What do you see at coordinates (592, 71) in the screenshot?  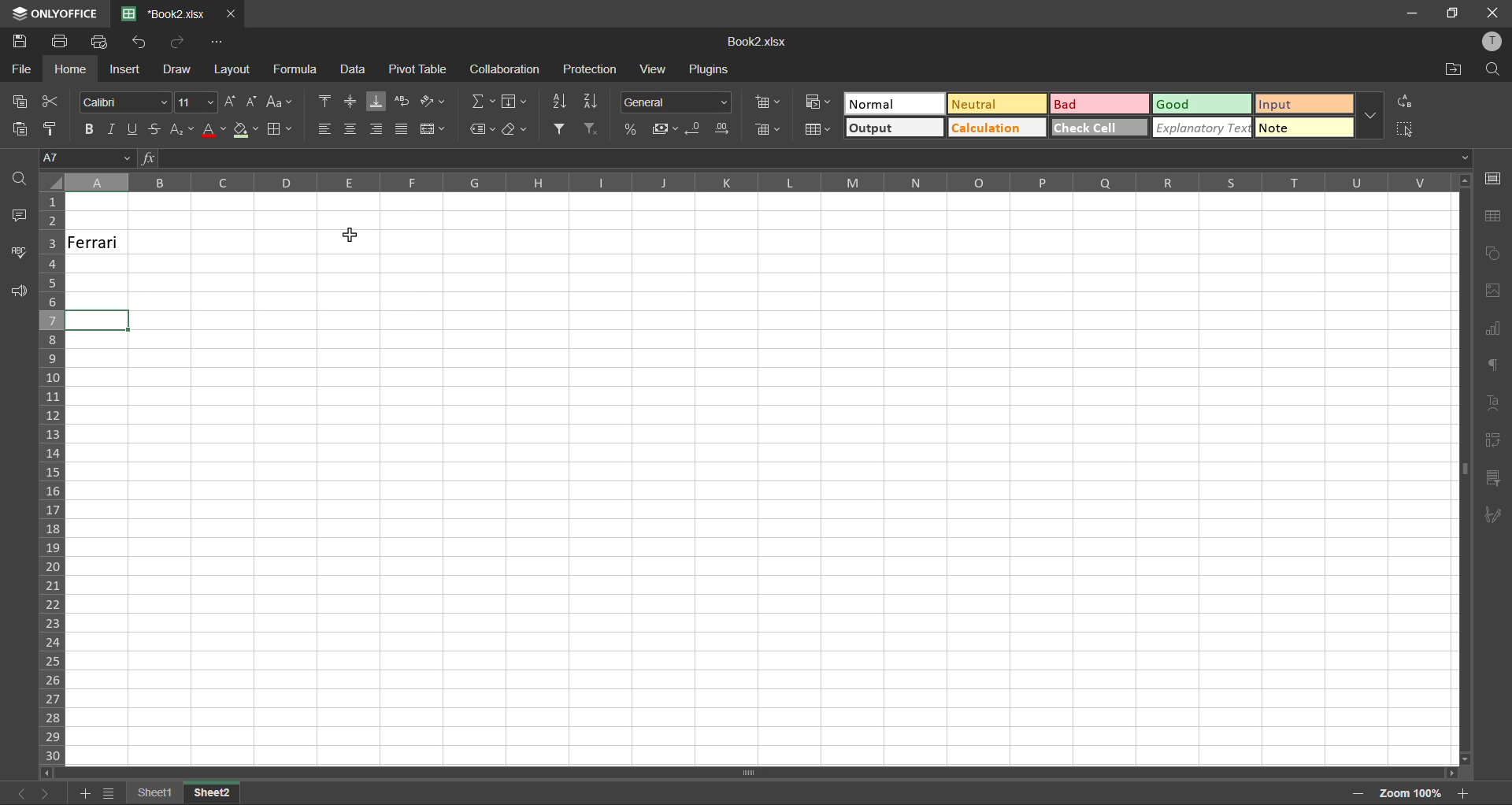 I see `protection` at bounding box center [592, 71].